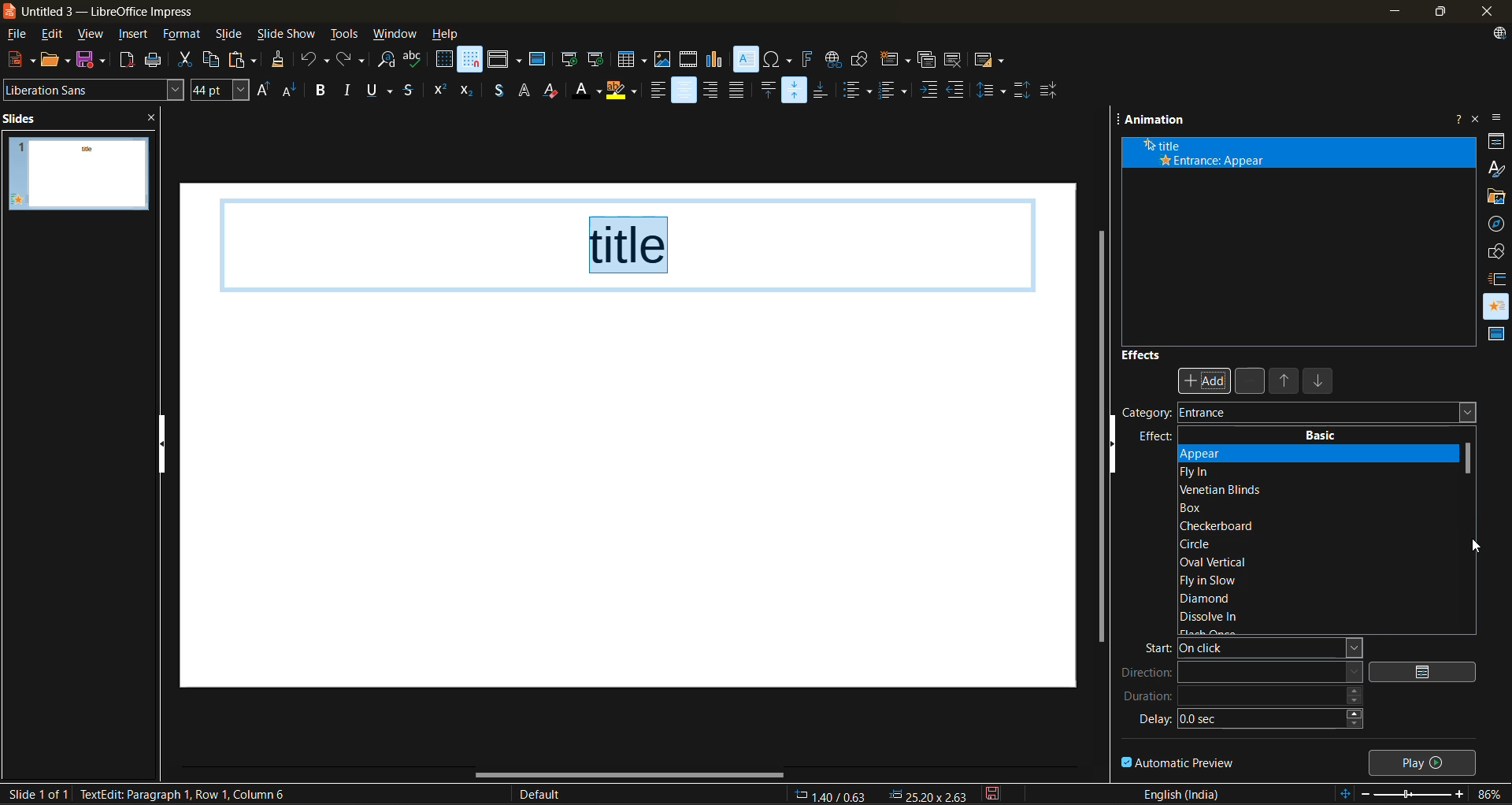 This screenshot has width=1512, height=805. I want to click on redo, so click(349, 59).